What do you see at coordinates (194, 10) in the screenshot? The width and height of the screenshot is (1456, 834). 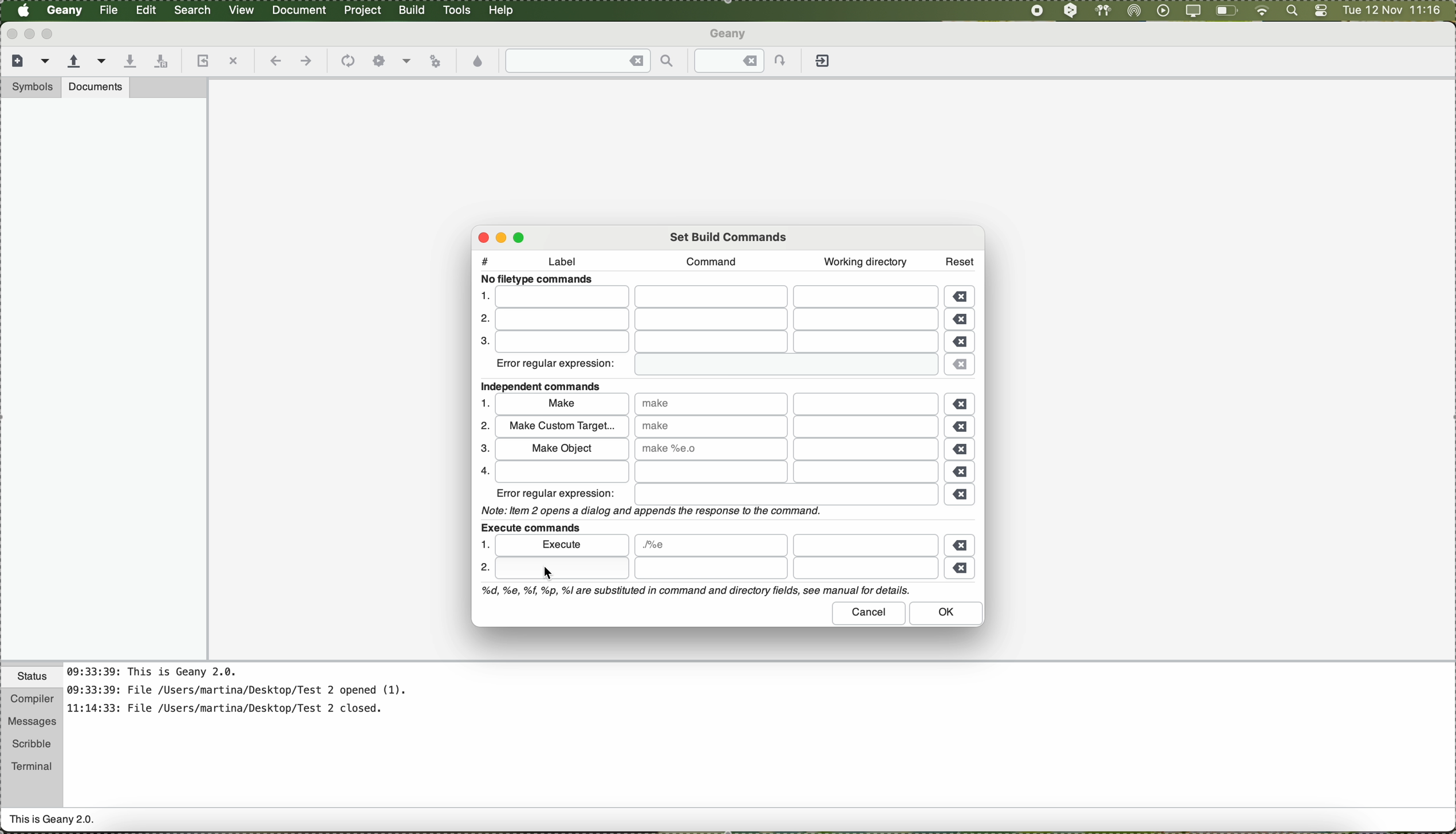 I see `search` at bounding box center [194, 10].